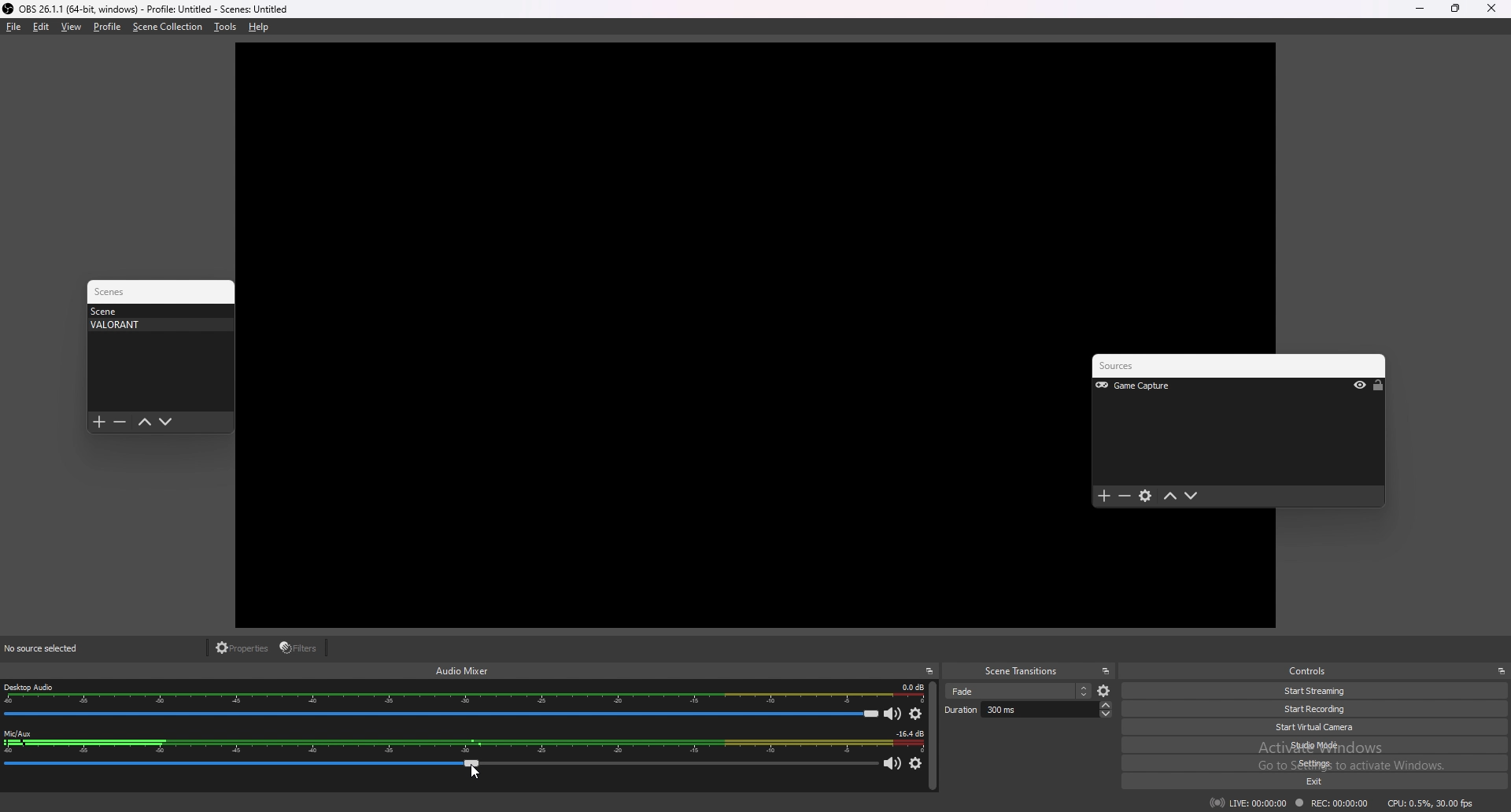 This screenshot has height=812, width=1511. Describe the element at coordinates (441, 767) in the screenshot. I see `mic/aux bar` at that location.